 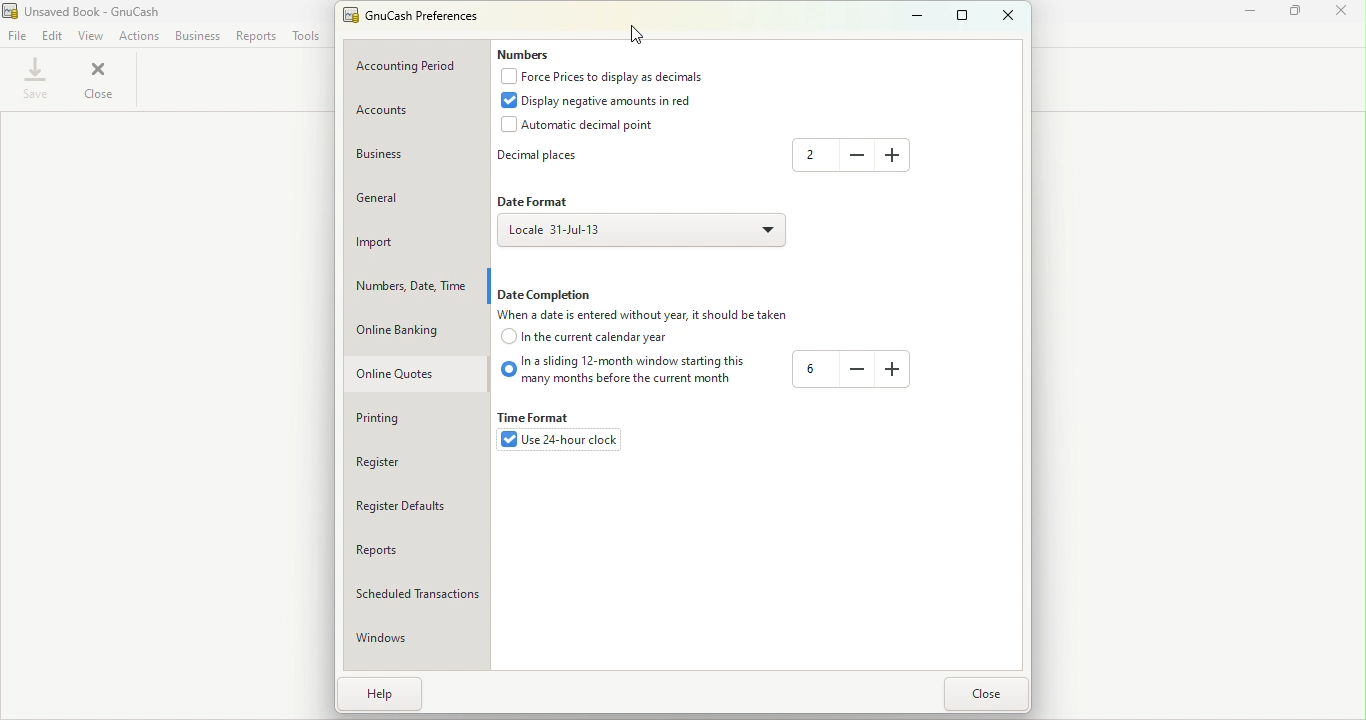 I want to click on Help, so click(x=382, y=694).